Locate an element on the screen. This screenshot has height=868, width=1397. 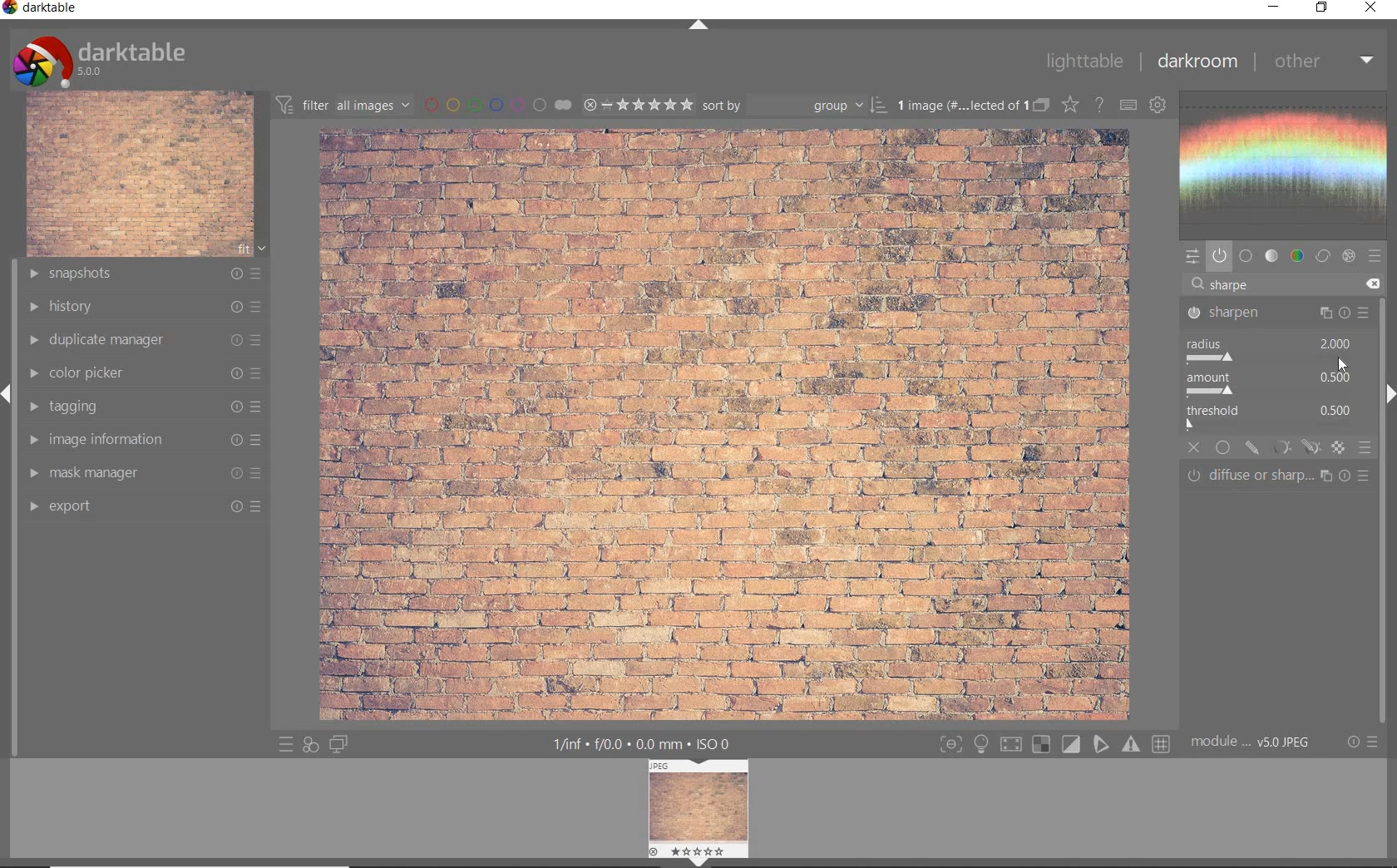
AMOUNT 0.500 is located at coordinates (1276, 384).